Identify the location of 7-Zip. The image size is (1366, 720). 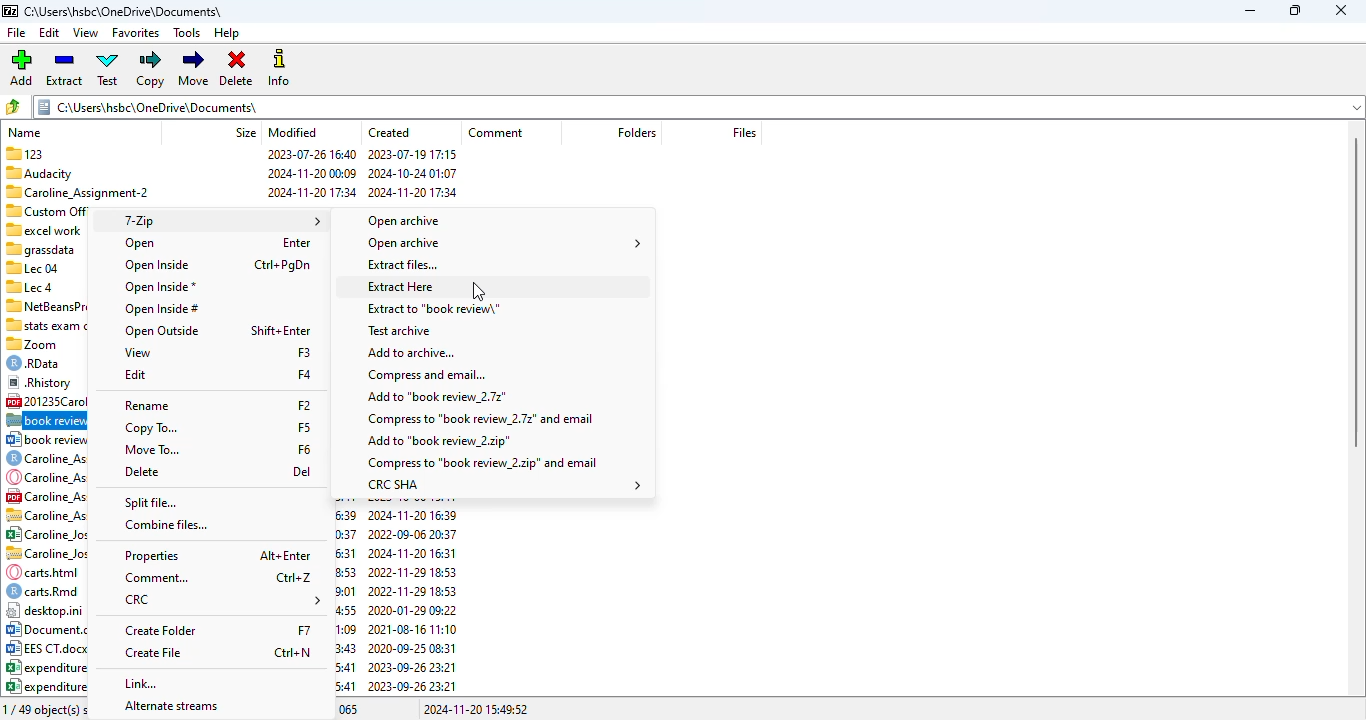
(219, 220).